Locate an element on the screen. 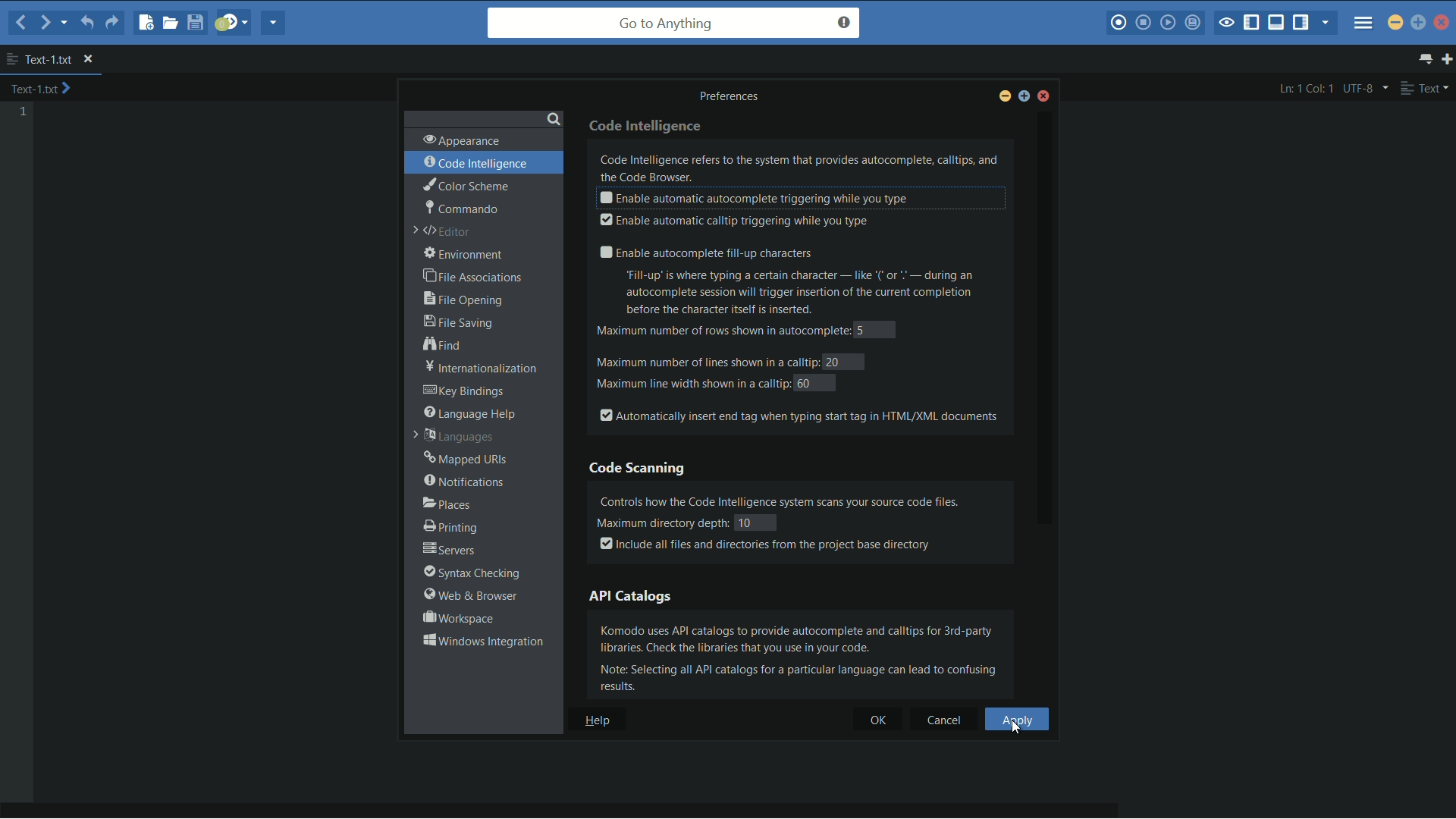 The width and height of the screenshot is (1456, 819). web and browser is located at coordinates (467, 596).